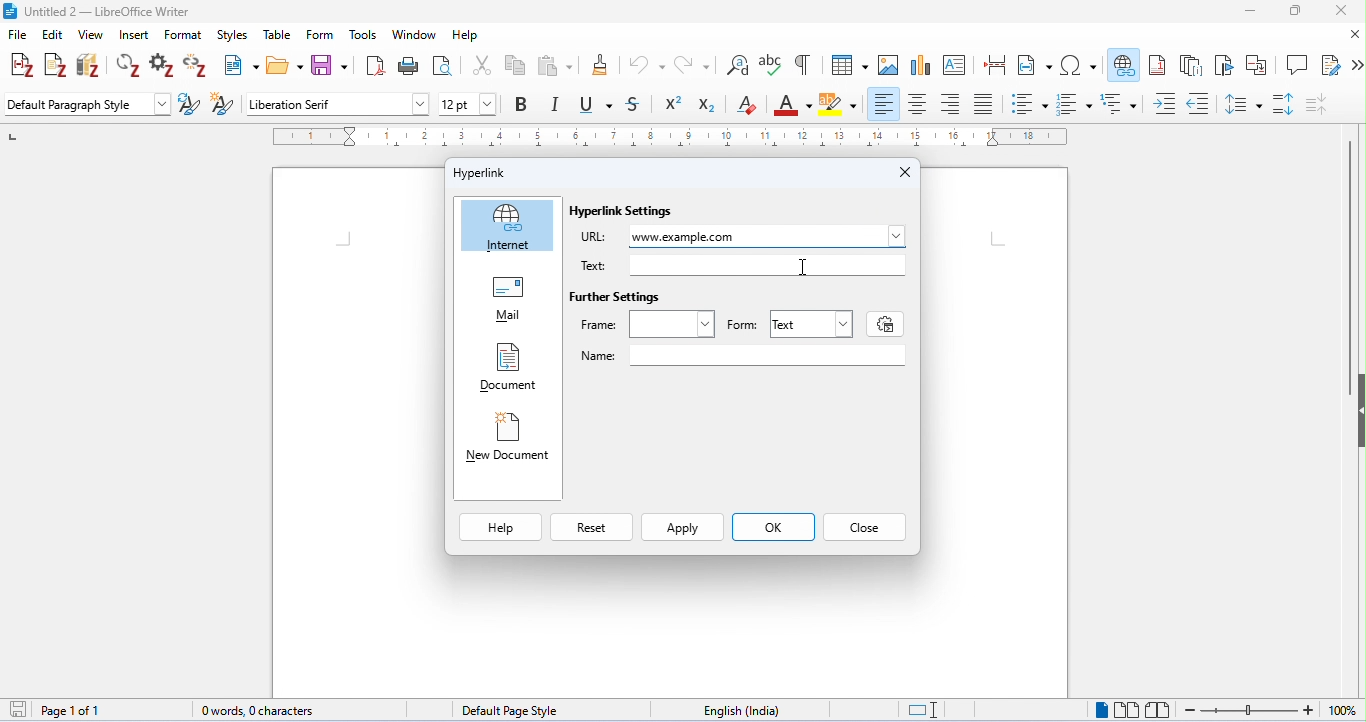 The width and height of the screenshot is (1366, 722). Describe the element at coordinates (647, 65) in the screenshot. I see `undo` at that location.